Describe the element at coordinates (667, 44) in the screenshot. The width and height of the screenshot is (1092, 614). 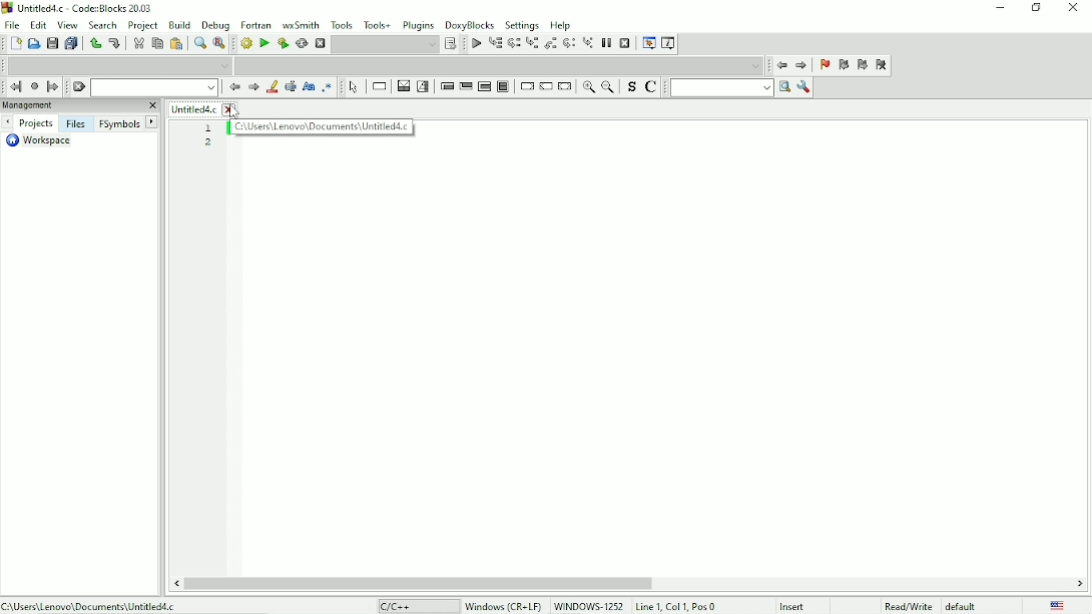
I see `Various info` at that location.